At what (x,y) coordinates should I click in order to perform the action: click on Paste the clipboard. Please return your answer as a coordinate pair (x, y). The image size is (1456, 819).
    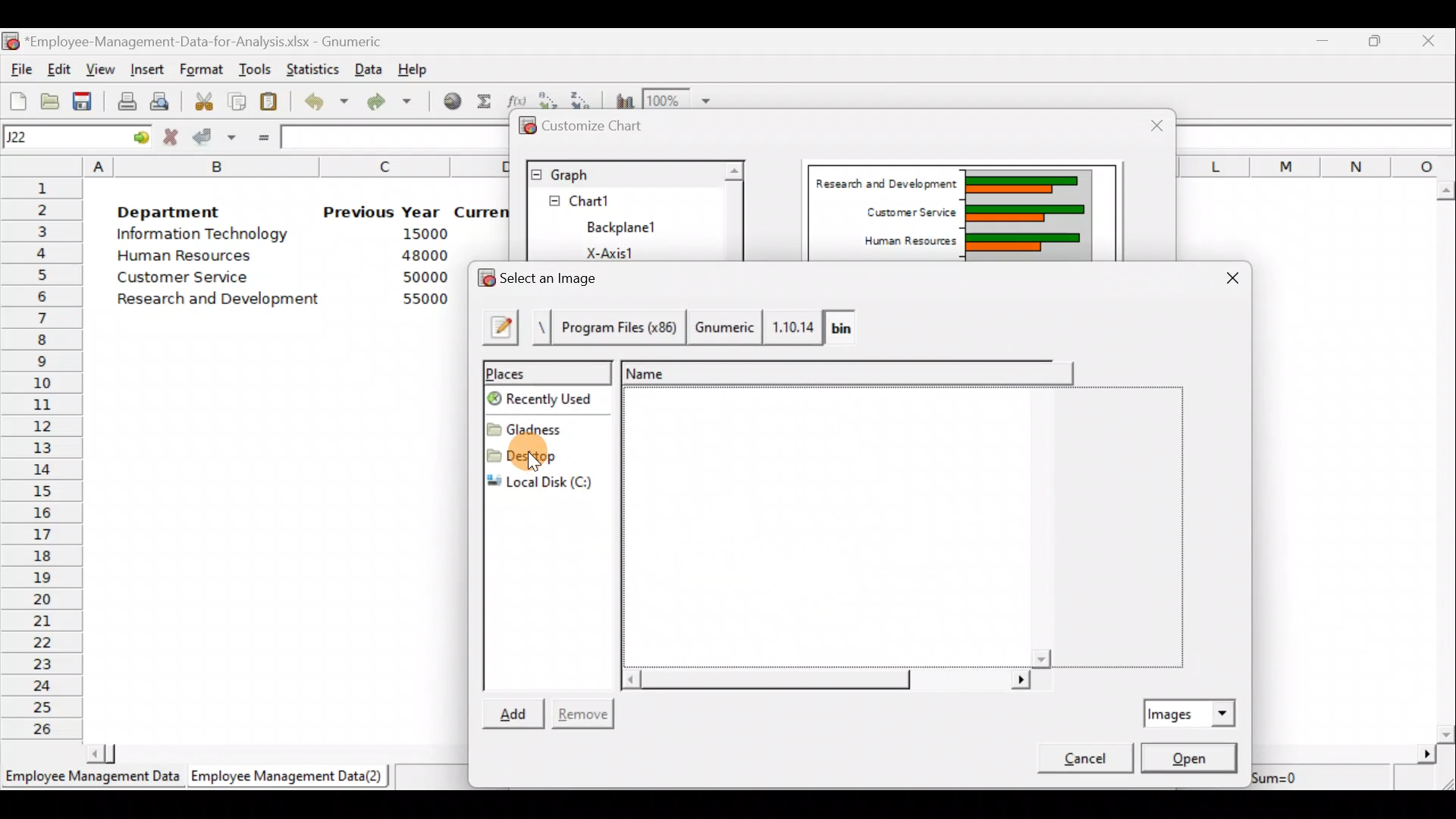
    Looking at the image, I should click on (273, 103).